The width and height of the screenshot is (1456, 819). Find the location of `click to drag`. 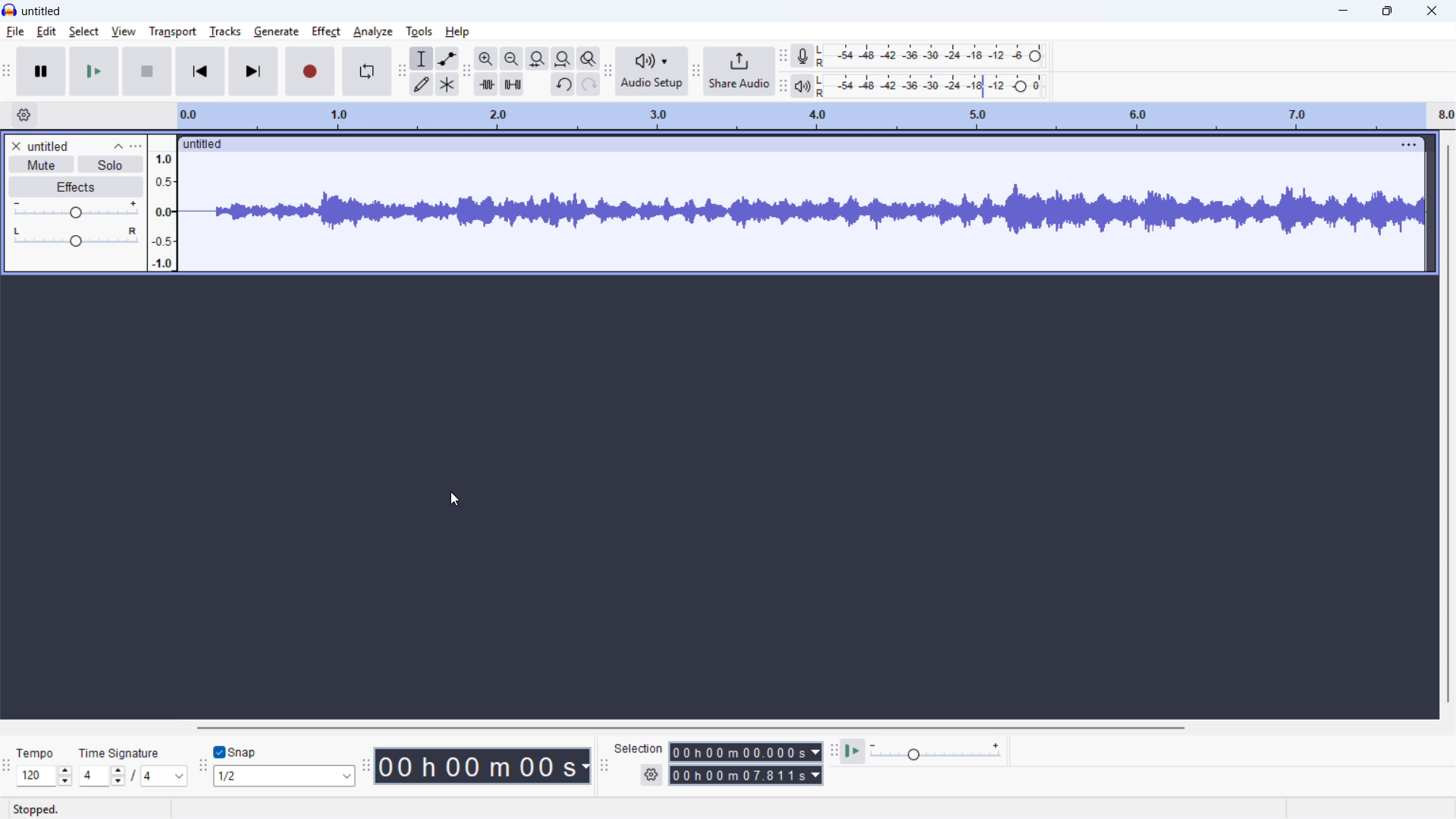

click to drag is located at coordinates (777, 145).